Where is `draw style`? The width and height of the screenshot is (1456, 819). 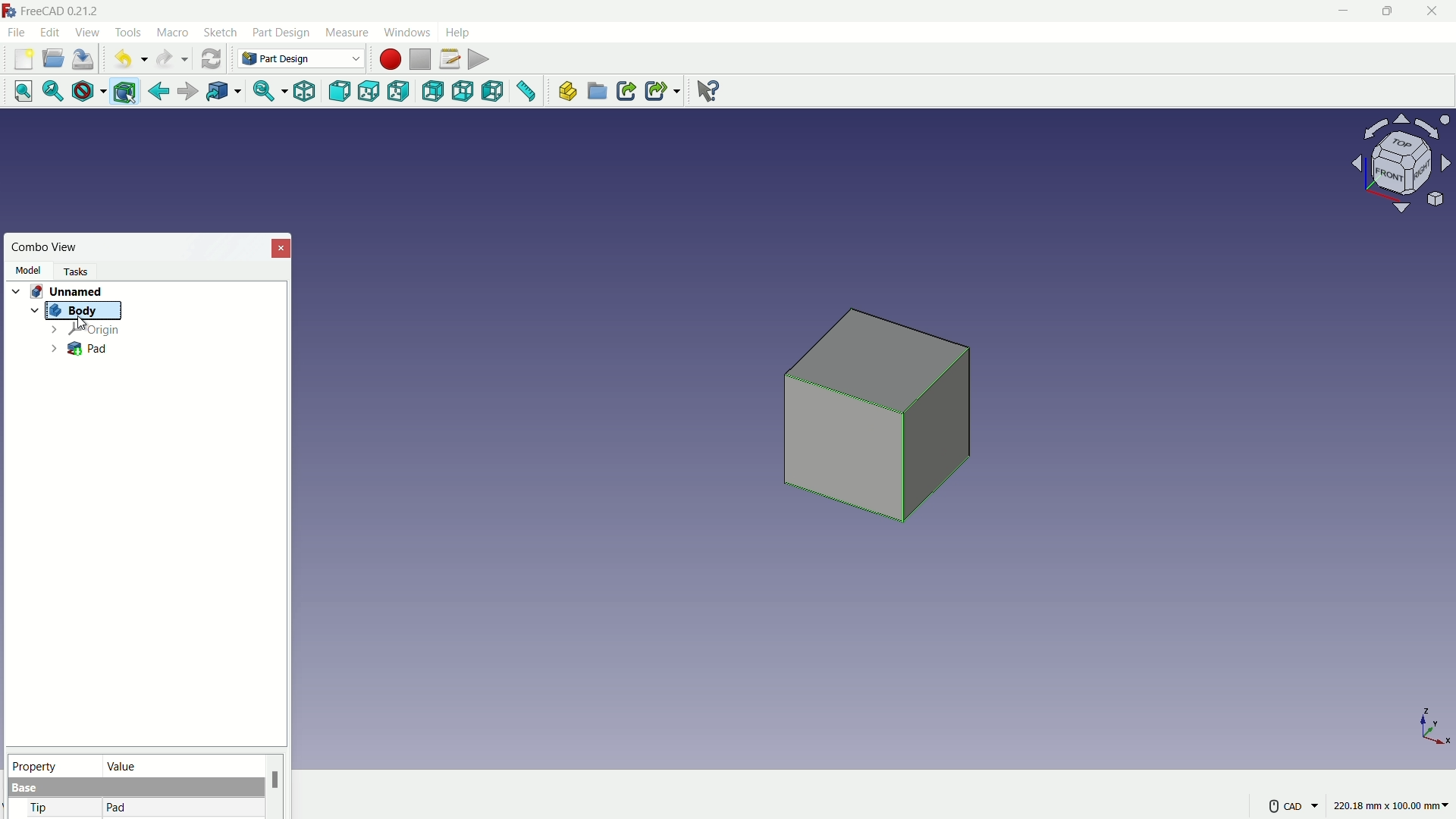
draw style is located at coordinates (86, 92).